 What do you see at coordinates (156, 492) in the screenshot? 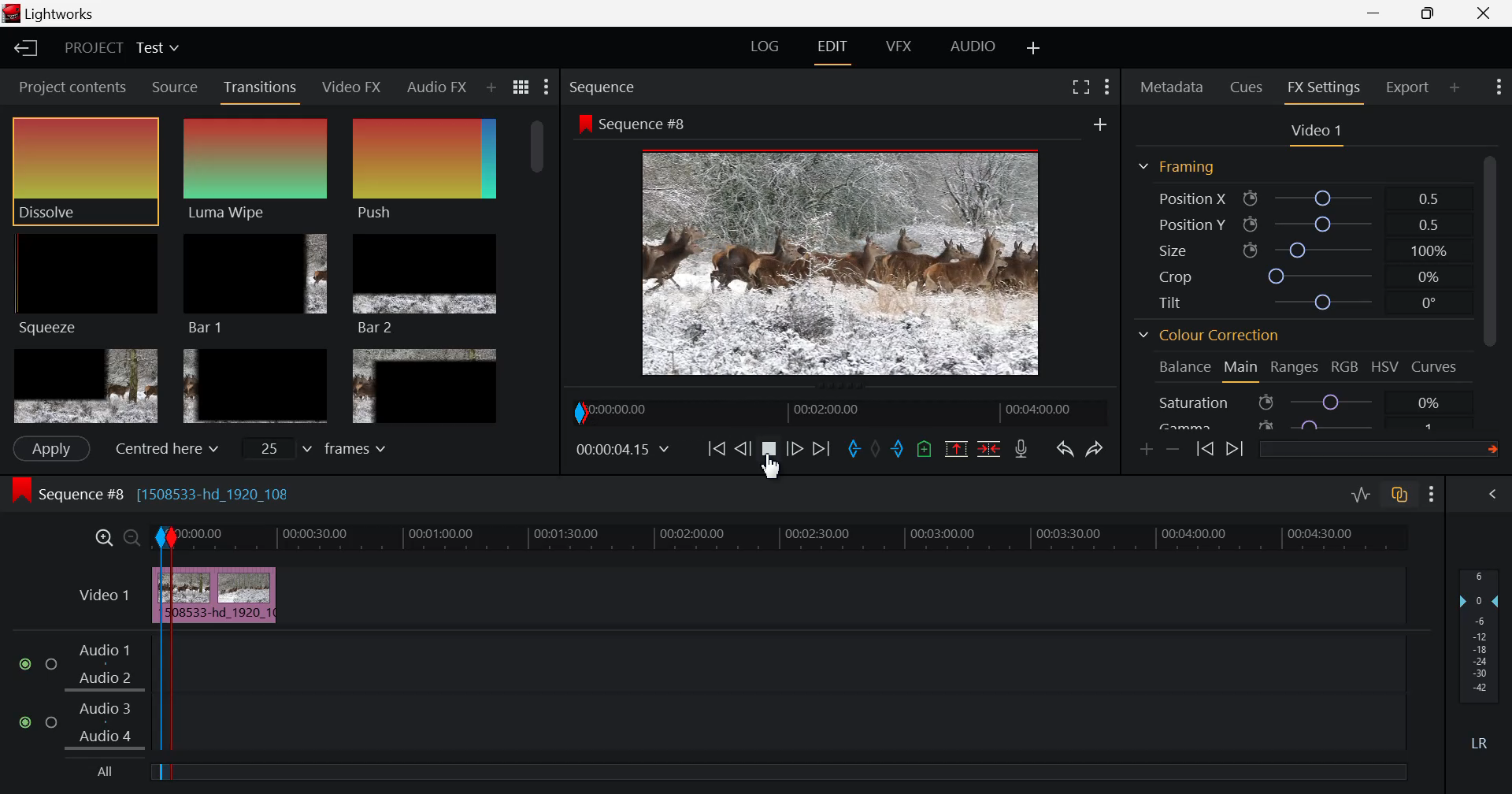
I see `Sequence #8 [1508533-hd_1920_10` at bounding box center [156, 492].